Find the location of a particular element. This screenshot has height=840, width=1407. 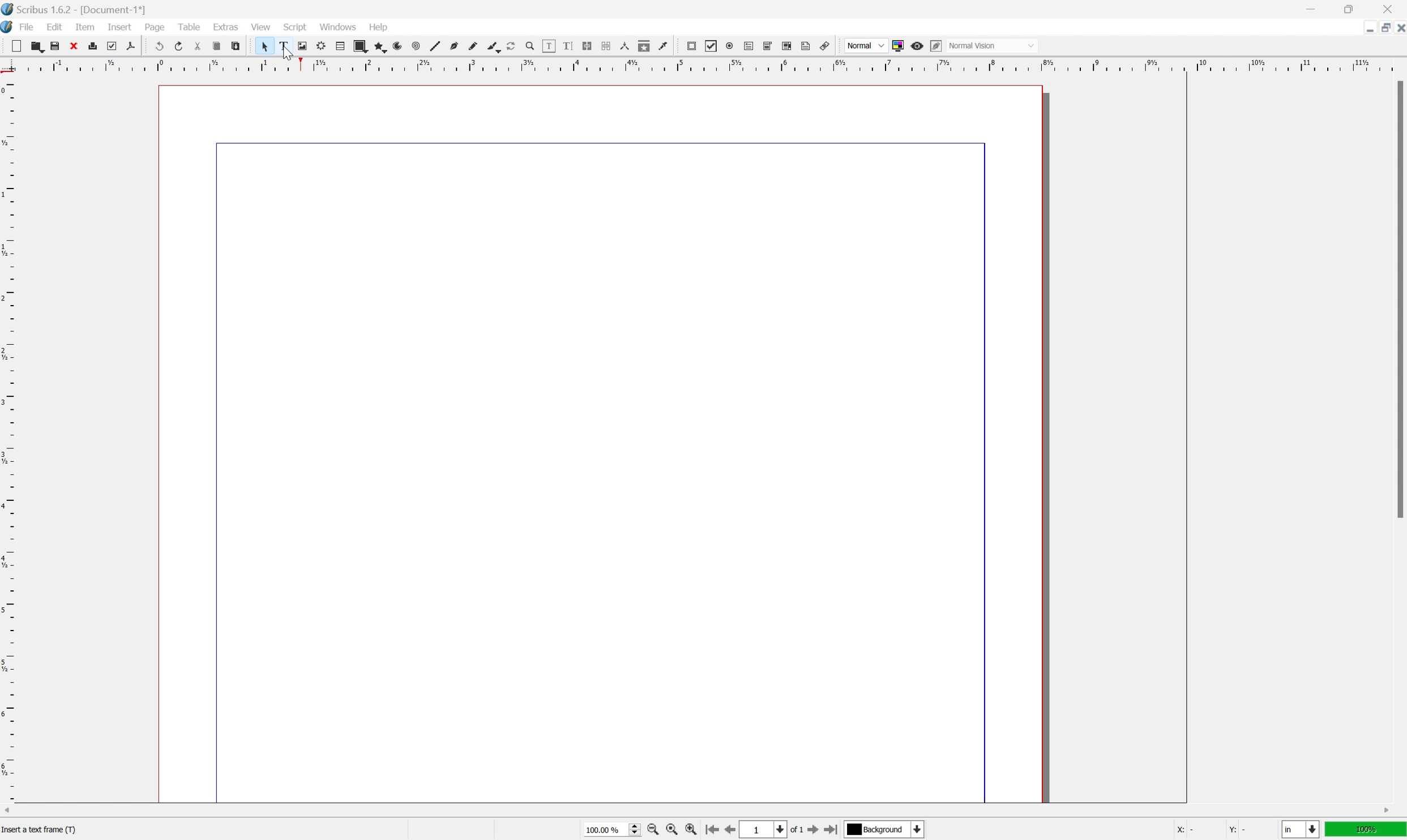

application logo is located at coordinates (9, 28).